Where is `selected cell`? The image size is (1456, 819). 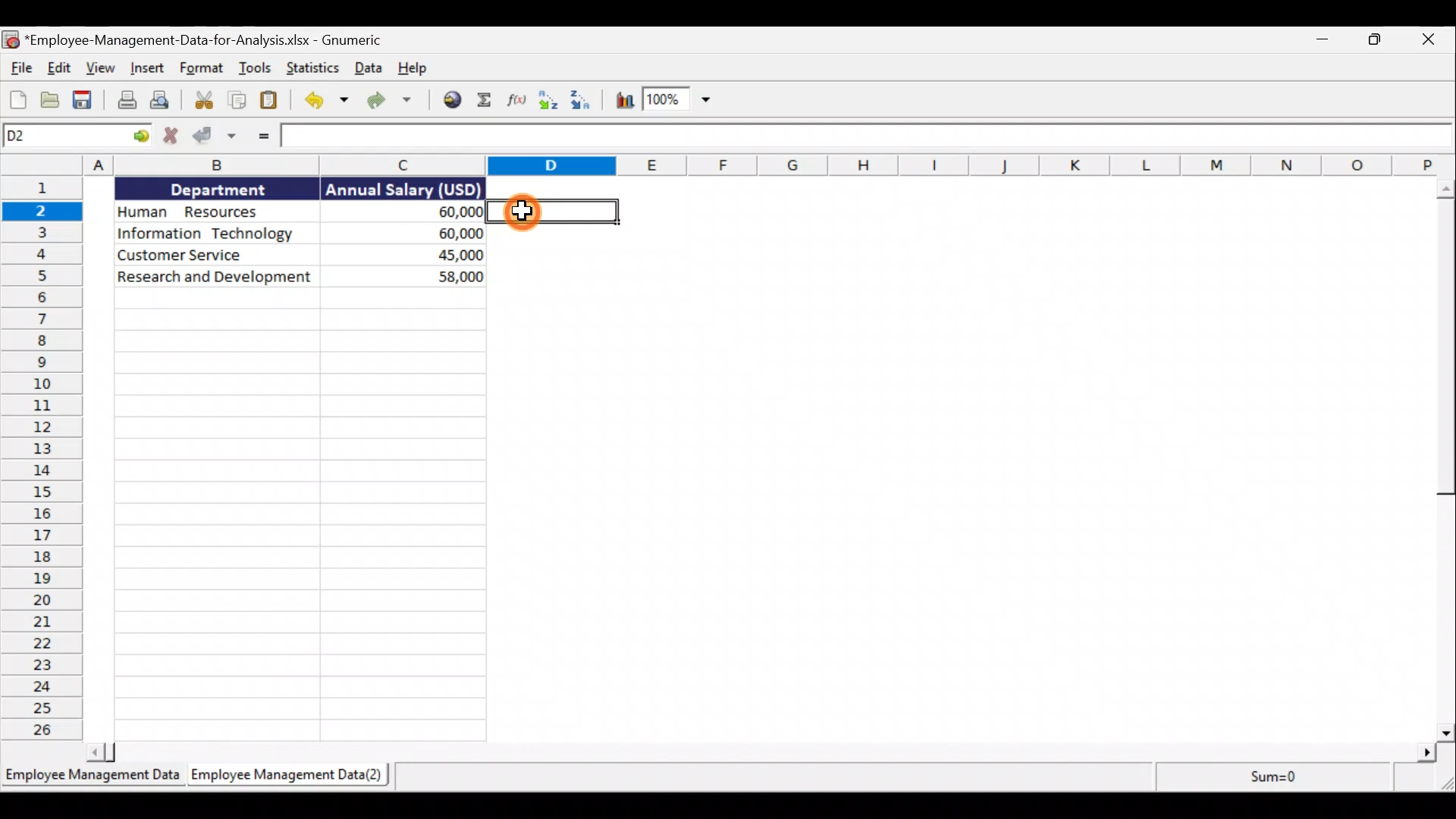 selected cell is located at coordinates (555, 212).